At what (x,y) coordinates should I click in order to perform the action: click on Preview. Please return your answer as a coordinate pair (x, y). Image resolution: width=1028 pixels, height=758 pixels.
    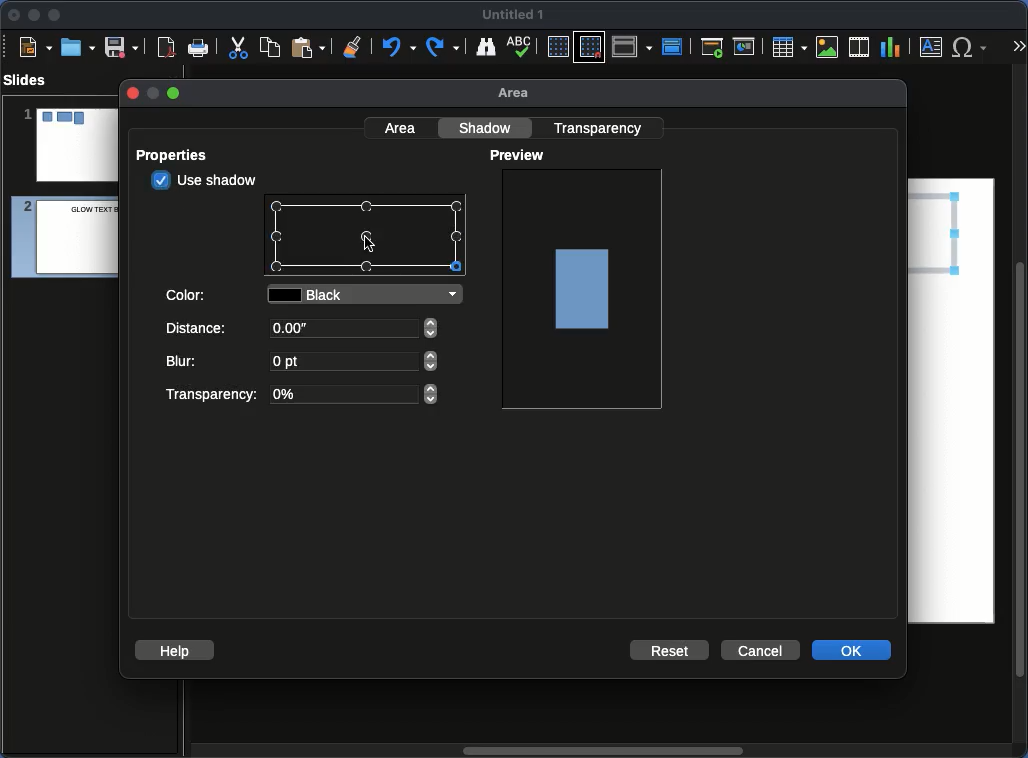
    Looking at the image, I should click on (520, 156).